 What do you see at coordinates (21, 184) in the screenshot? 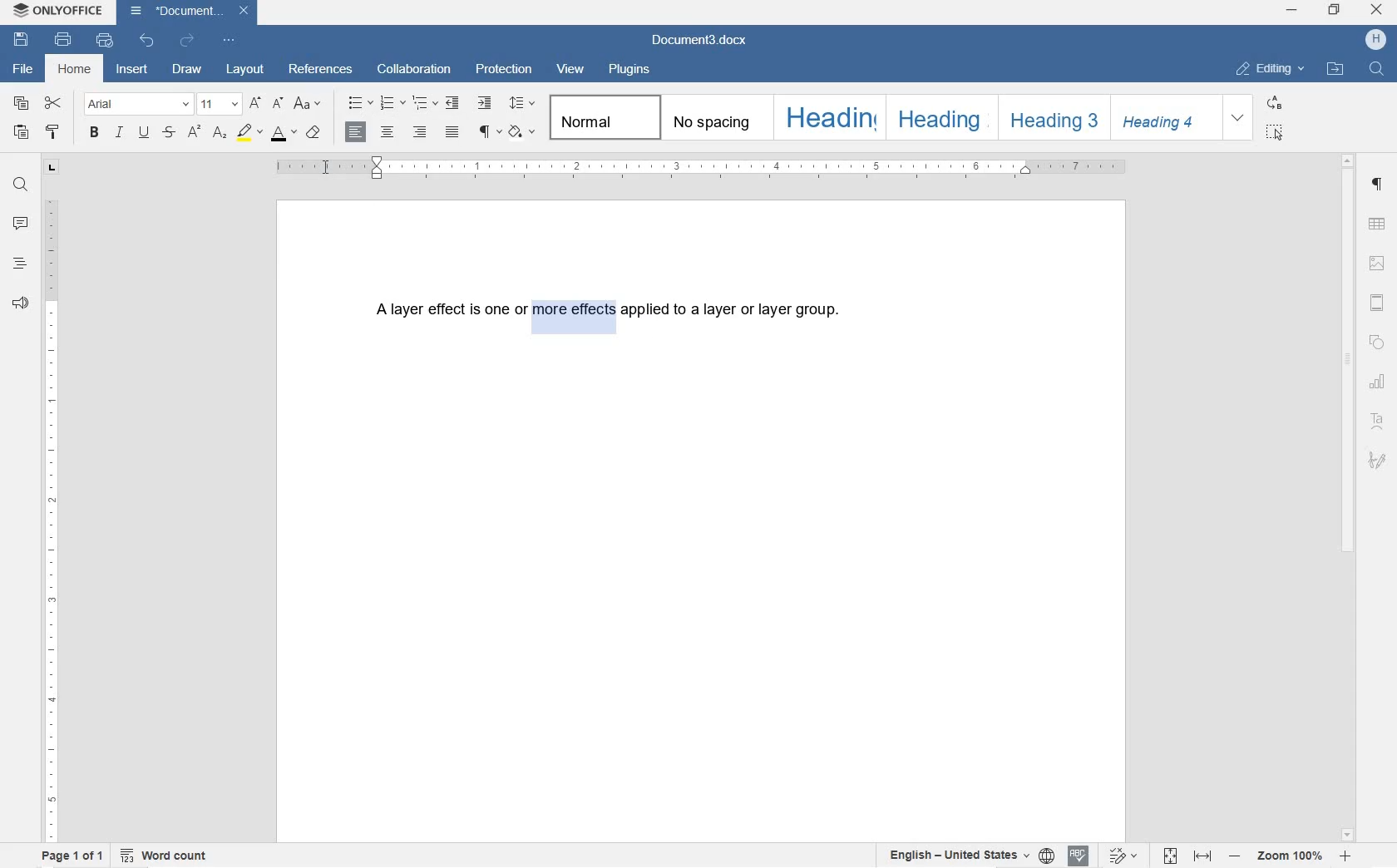
I see `FIND` at bounding box center [21, 184].